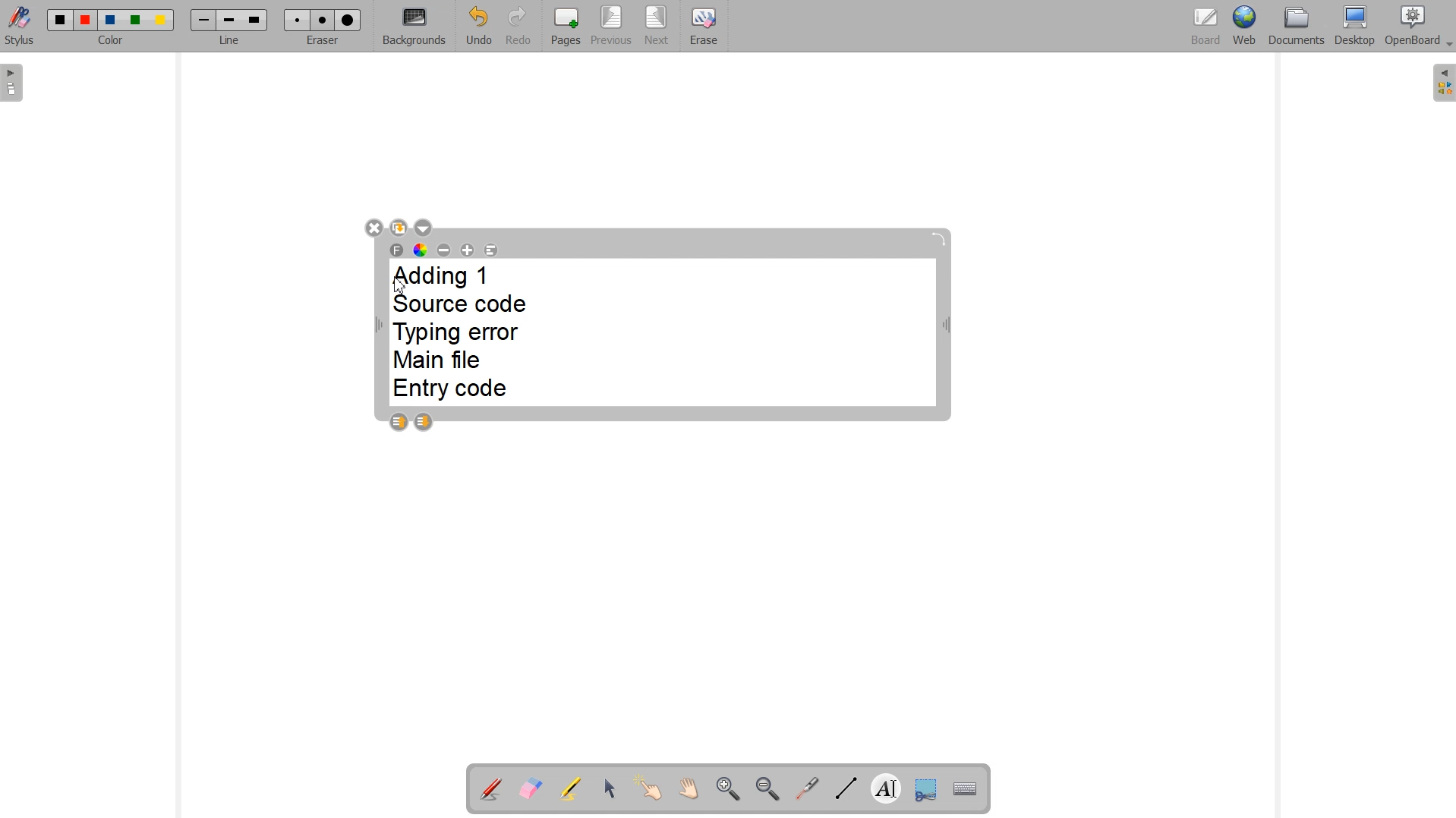 Image resolution: width=1456 pixels, height=818 pixels. Describe the element at coordinates (966, 787) in the screenshot. I see `Display virtual keyboard ` at that location.